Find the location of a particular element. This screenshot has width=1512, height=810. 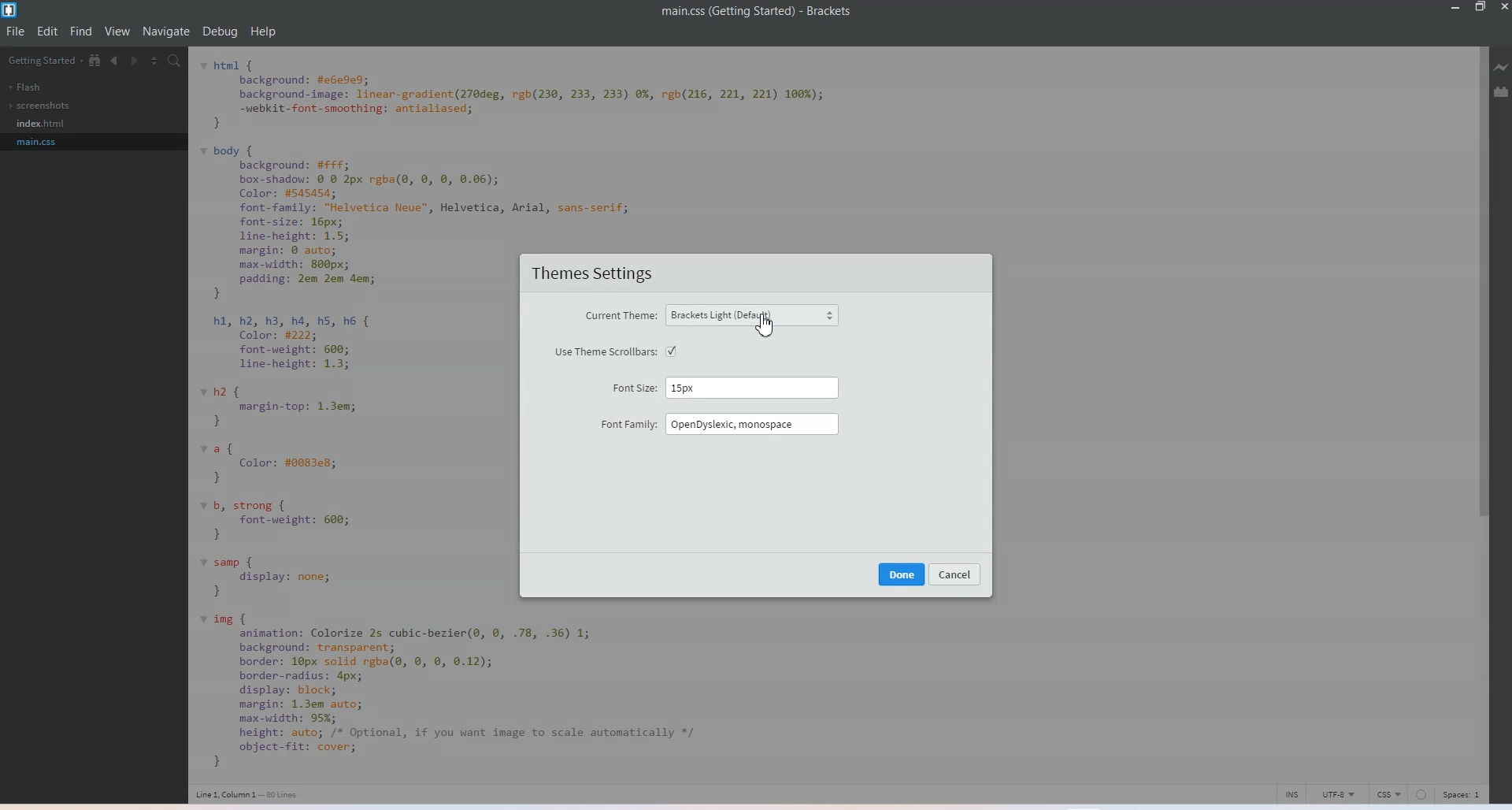

Close is located at coordinates (1503, 8).